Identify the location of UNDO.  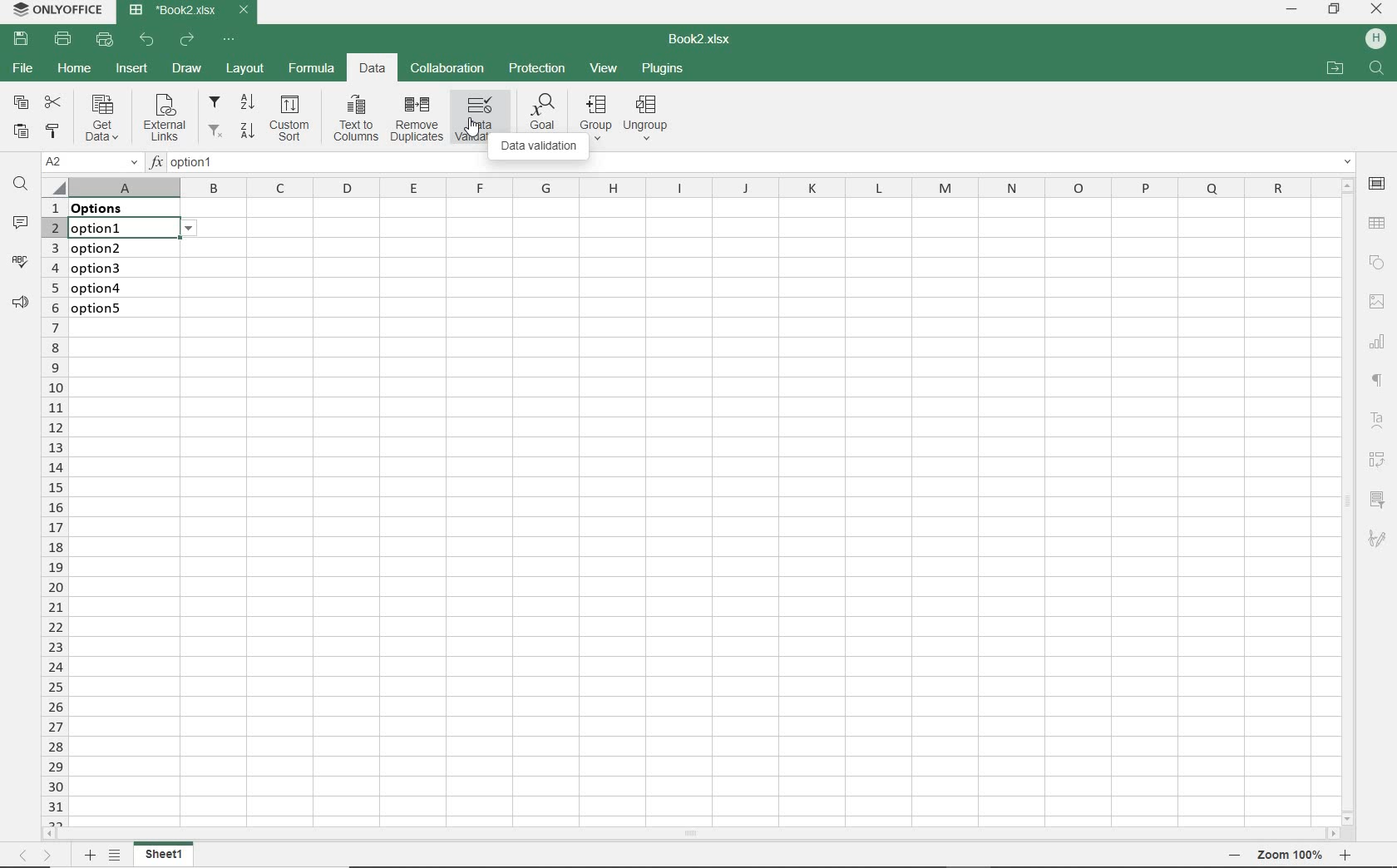
(149, 40).